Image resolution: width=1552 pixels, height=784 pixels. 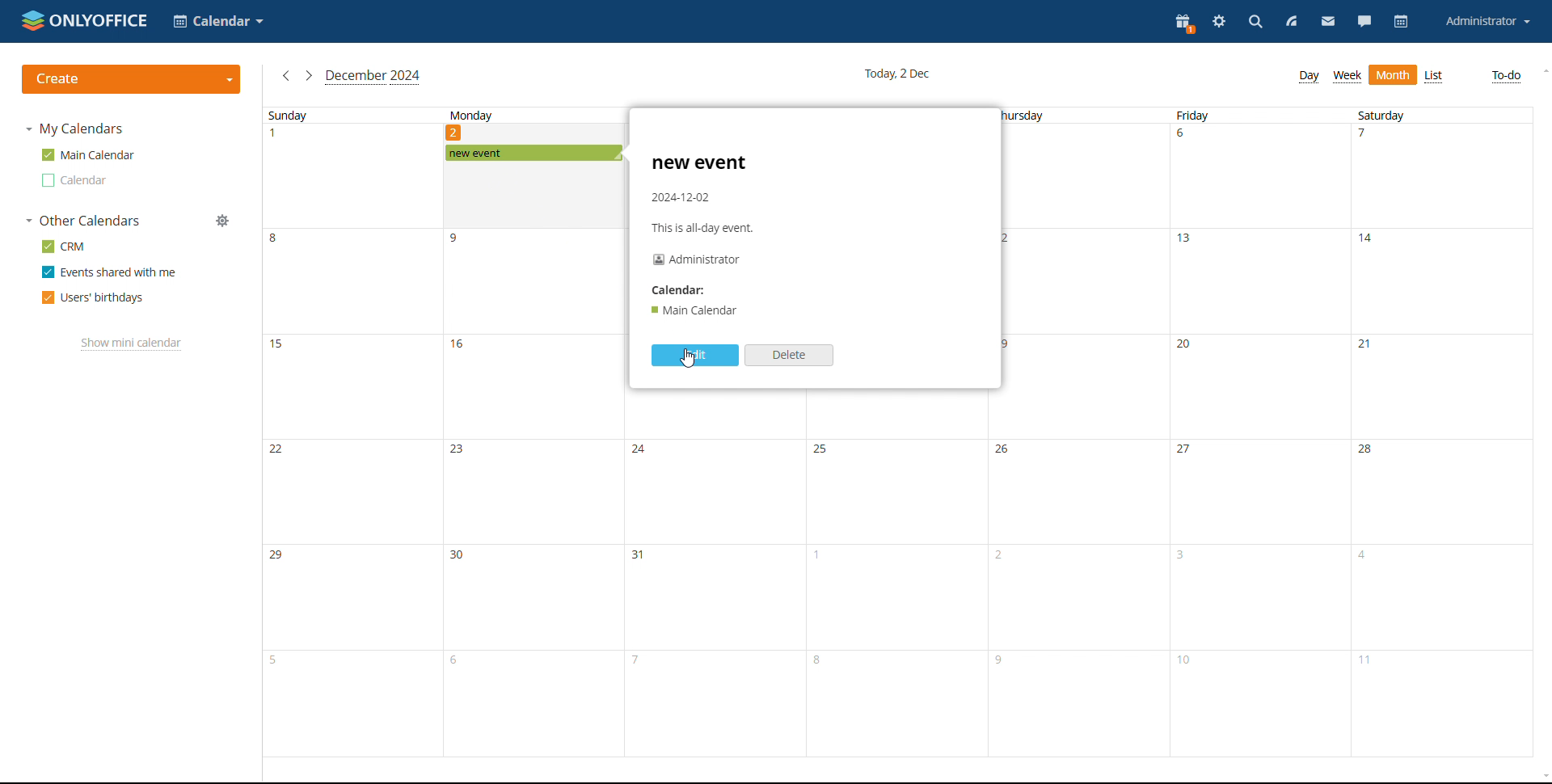 What do you see at coordinates (1401, 21) in the screenshot?
I see `calendar` at bounding box center [1401, 21].